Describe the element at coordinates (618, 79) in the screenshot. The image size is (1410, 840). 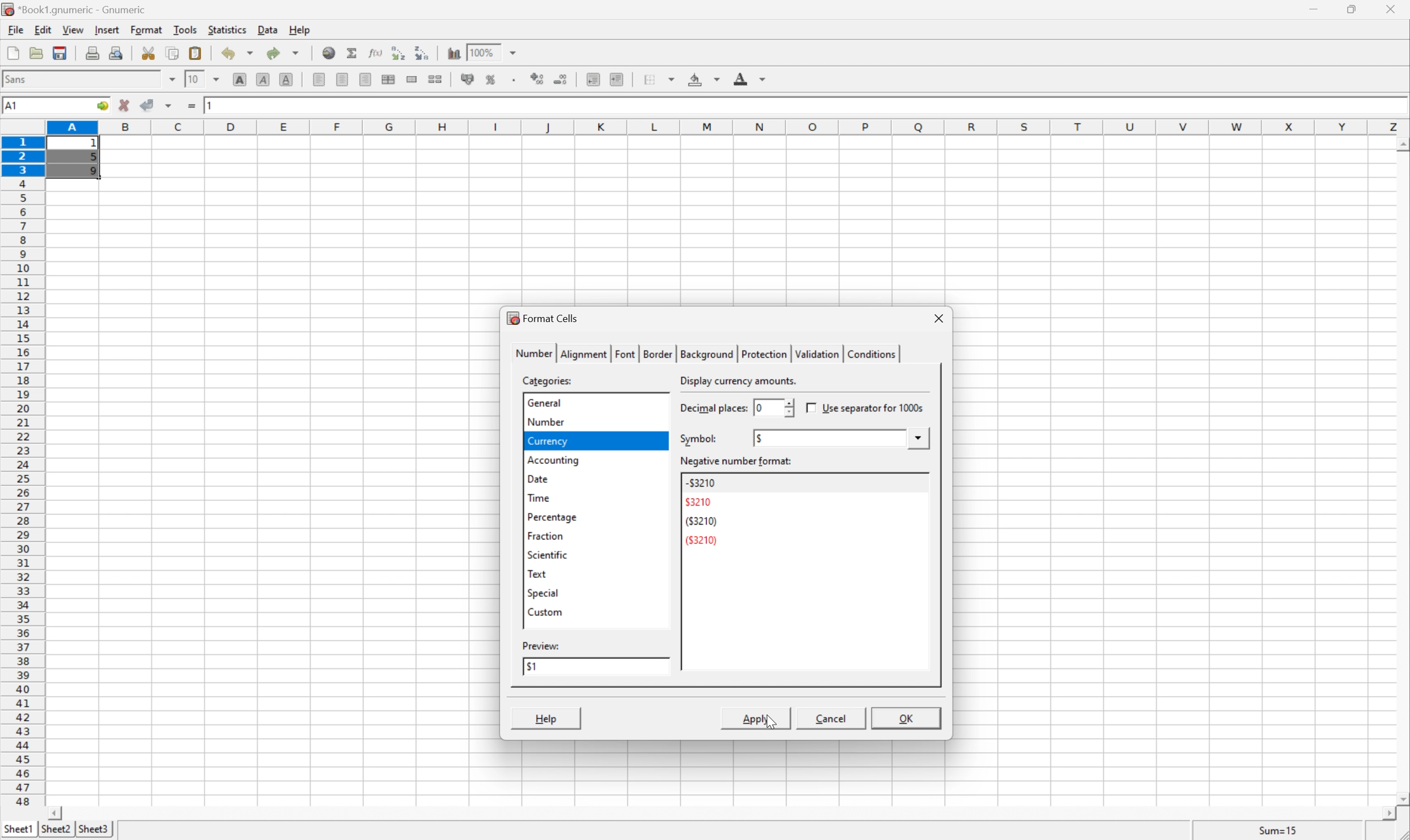
I see `increase indent` at that location.